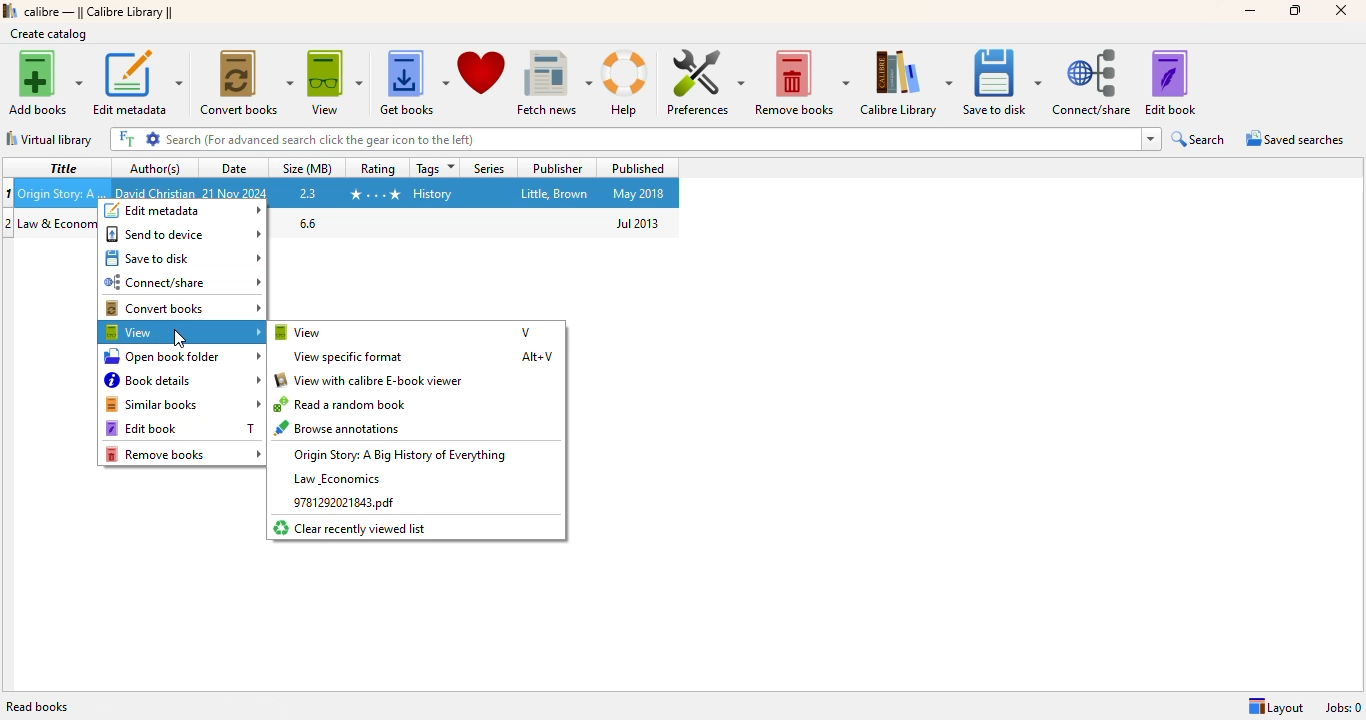  I want to click on published, so click(637, 167).